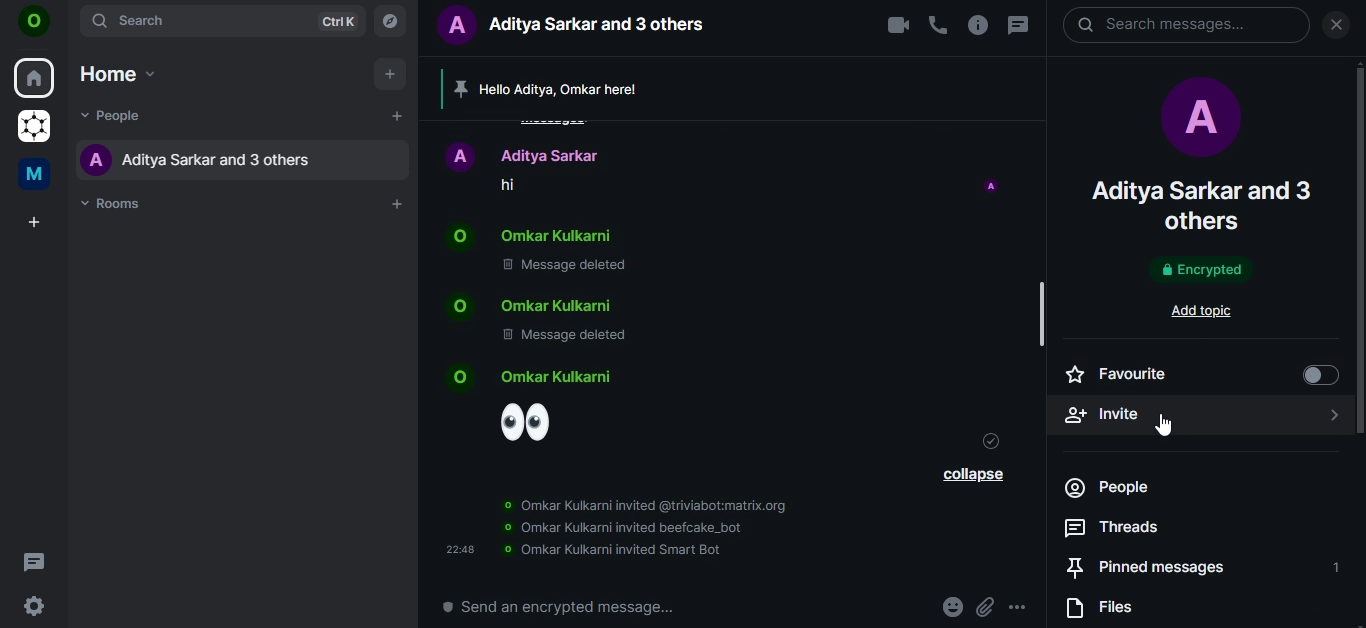  What do you see at coordinates (1336, 26) in the screenshot?
I see `close` at bounding box center [1336, 26].